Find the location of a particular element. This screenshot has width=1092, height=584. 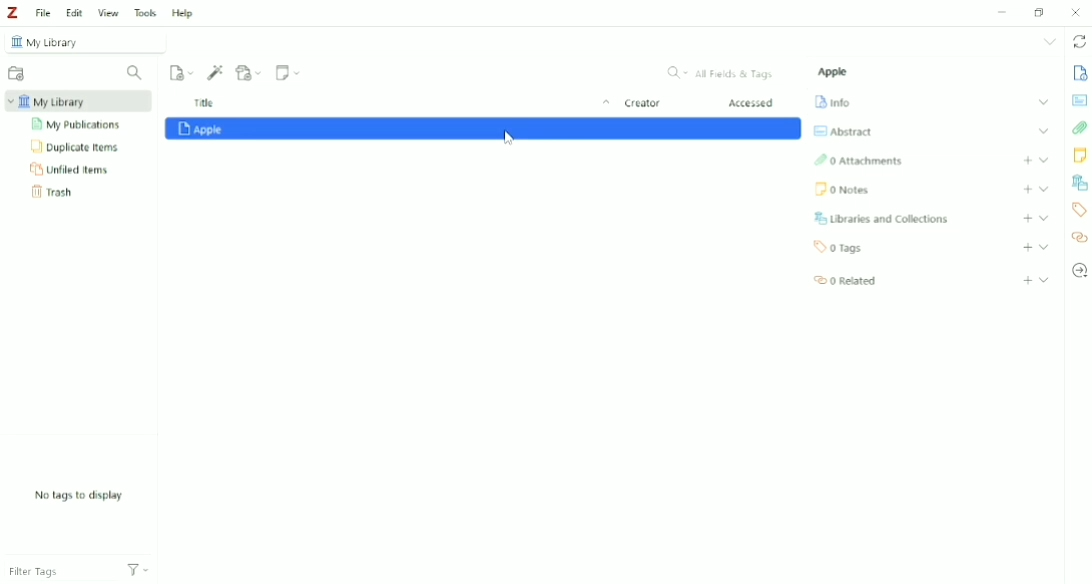

Related is located at coordinates (845, 281).